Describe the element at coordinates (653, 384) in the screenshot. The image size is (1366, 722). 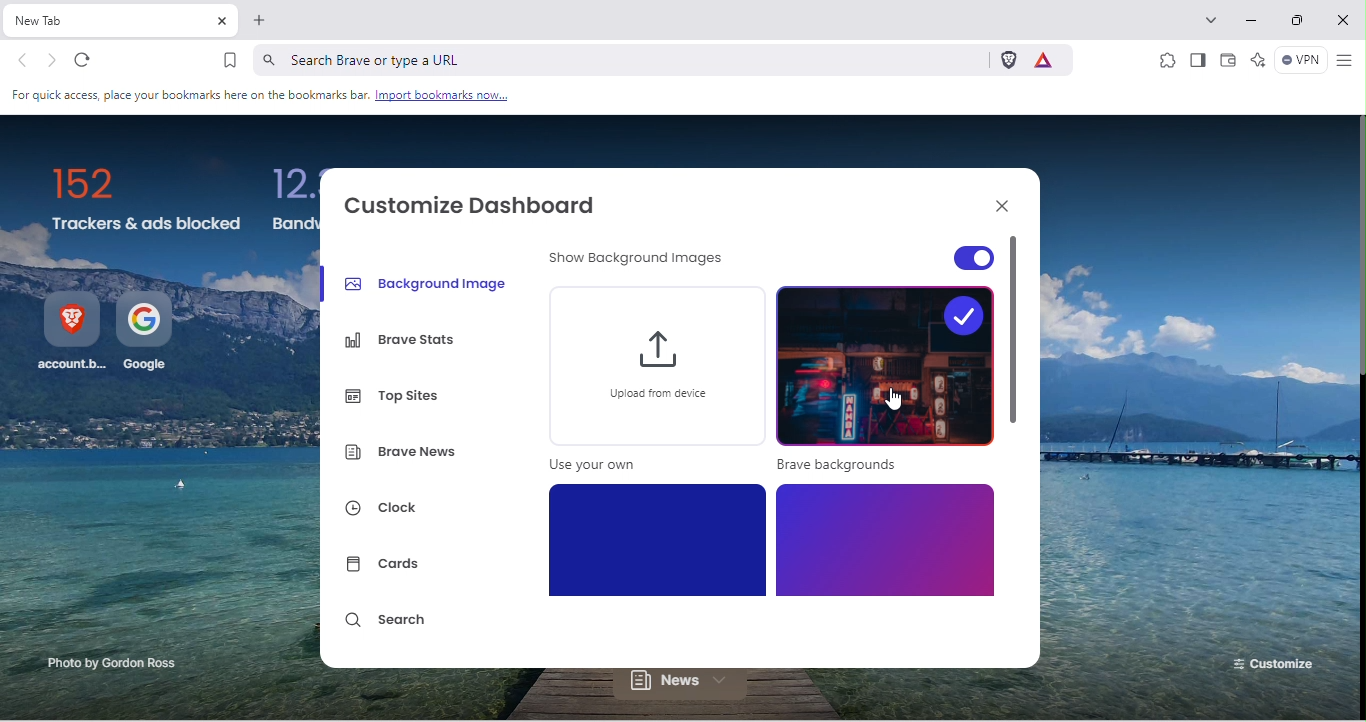
I see `Upload from device` at that location.